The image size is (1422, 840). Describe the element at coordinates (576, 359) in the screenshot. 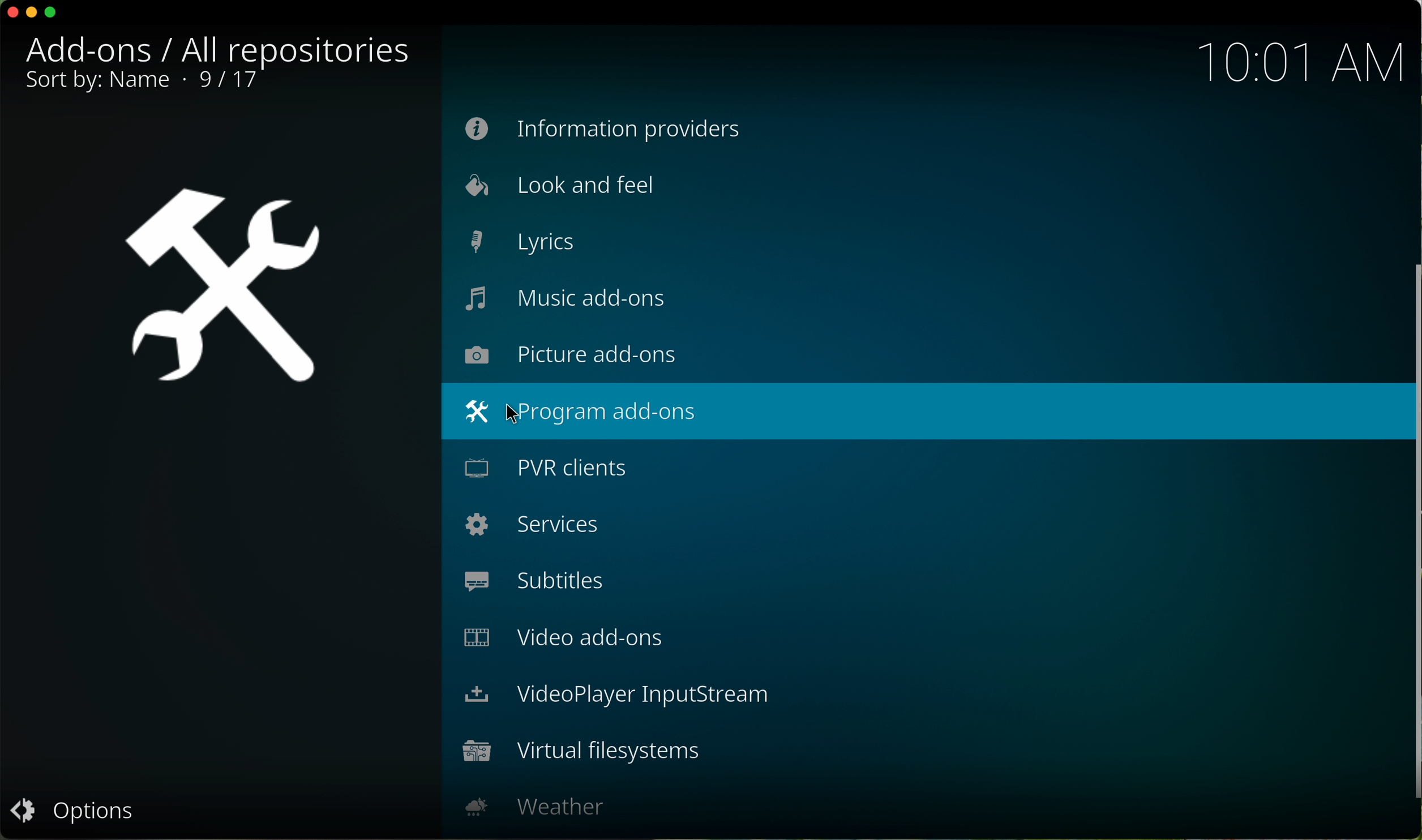

I see `picture add-ons` at that location.